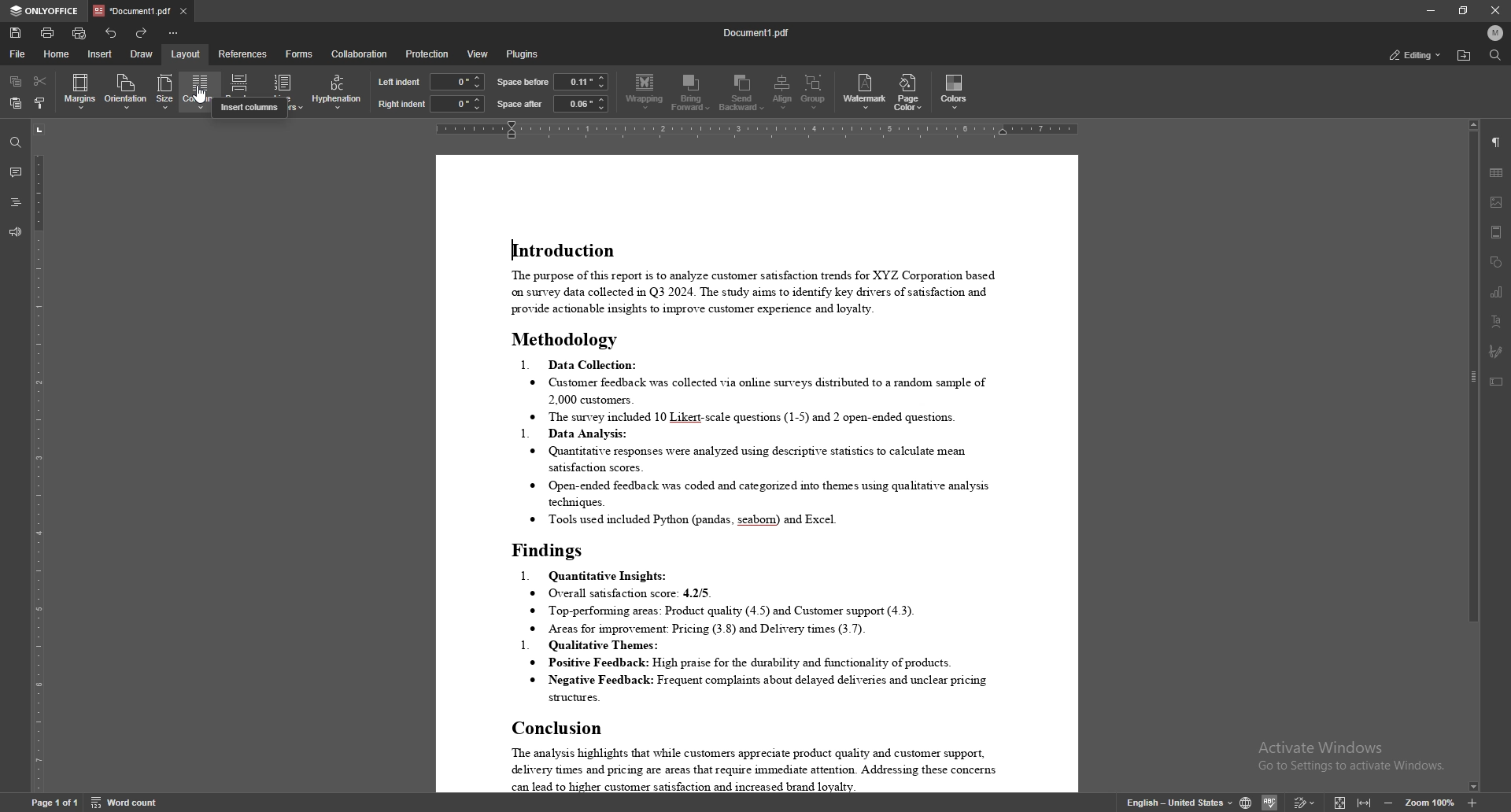 This screenshot has width=1511, height=812. Describe the element at coordinates (1305, 802) in the screenshot. I see `track changes` at that location.